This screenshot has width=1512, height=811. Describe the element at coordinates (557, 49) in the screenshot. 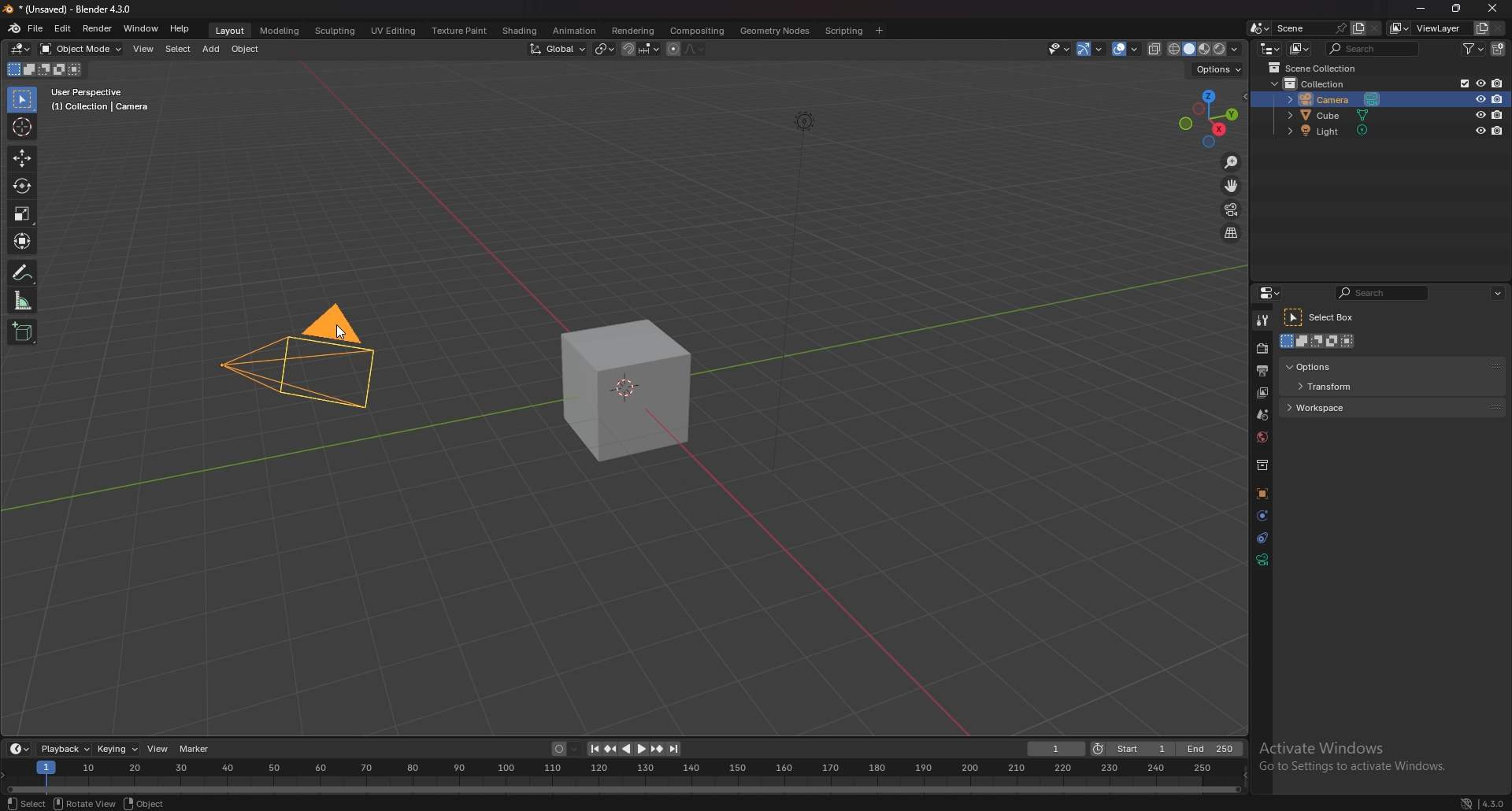

I see `transform orientation` at that location.